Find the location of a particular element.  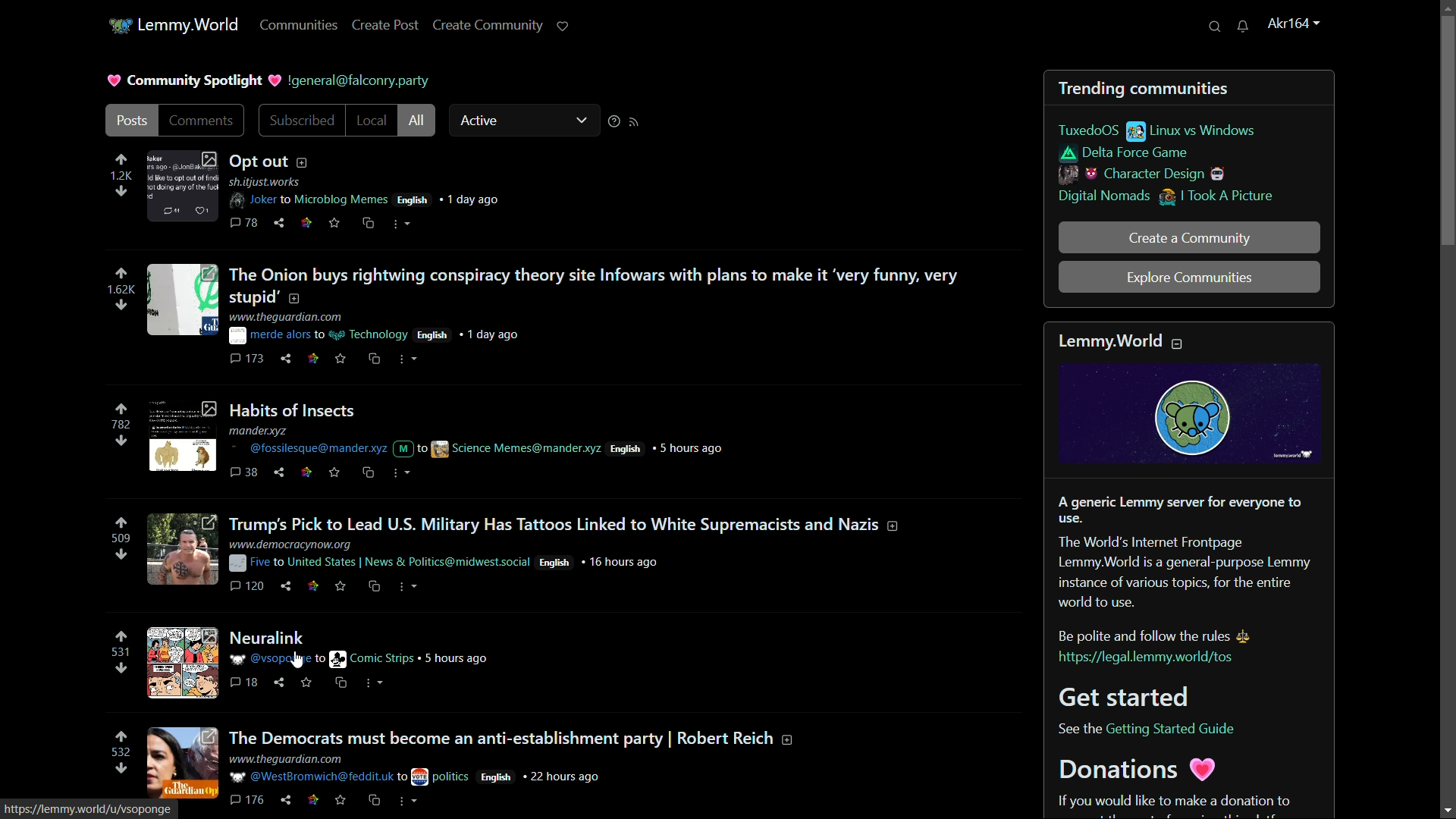

number of votes is located at coordinates (121, 538).